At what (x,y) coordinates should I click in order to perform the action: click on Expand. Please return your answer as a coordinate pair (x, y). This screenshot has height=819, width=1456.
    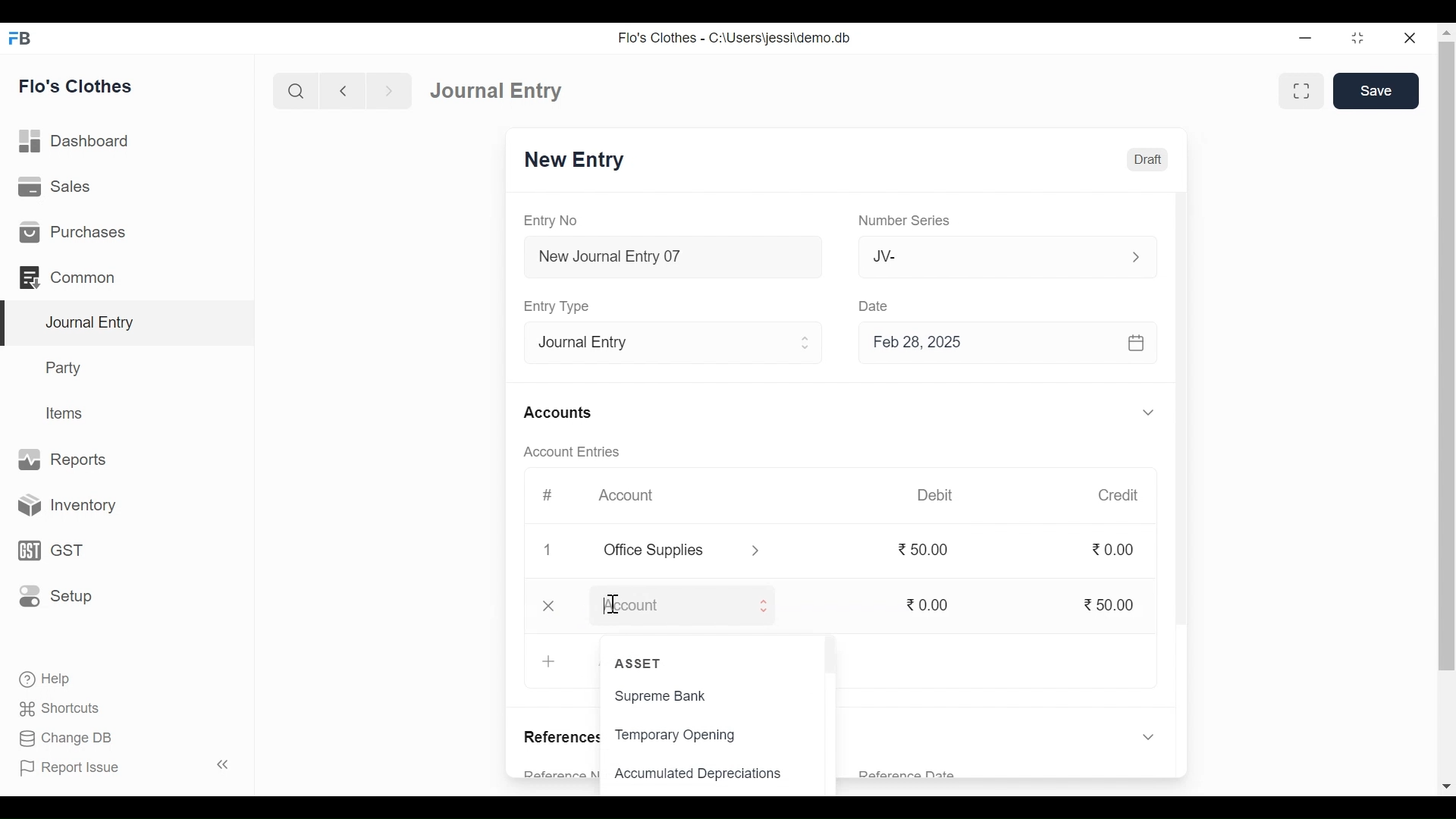
    Looking at the image, I should click on (1152, 412).